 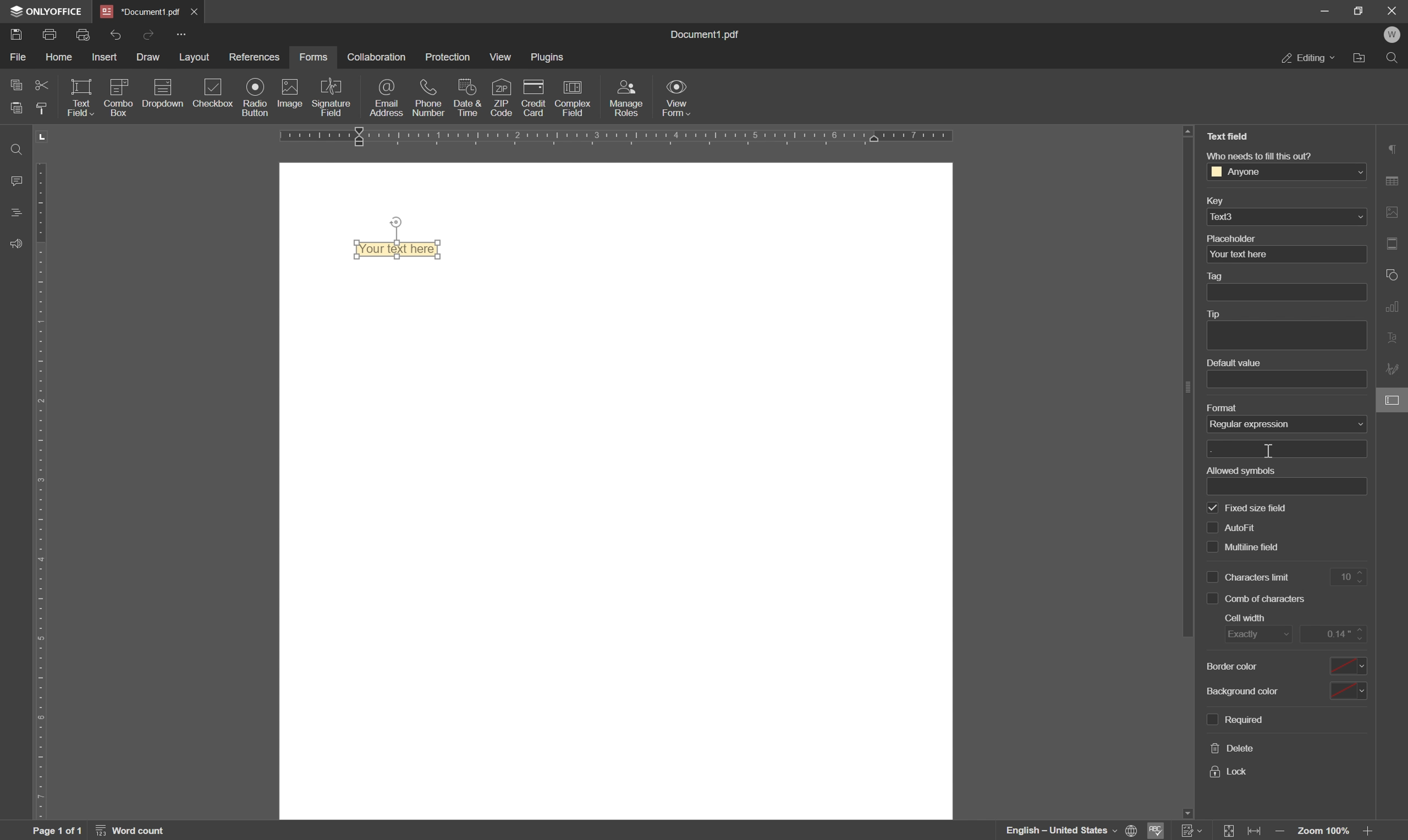 I want to click on tip, so click(x=1218, y=314).